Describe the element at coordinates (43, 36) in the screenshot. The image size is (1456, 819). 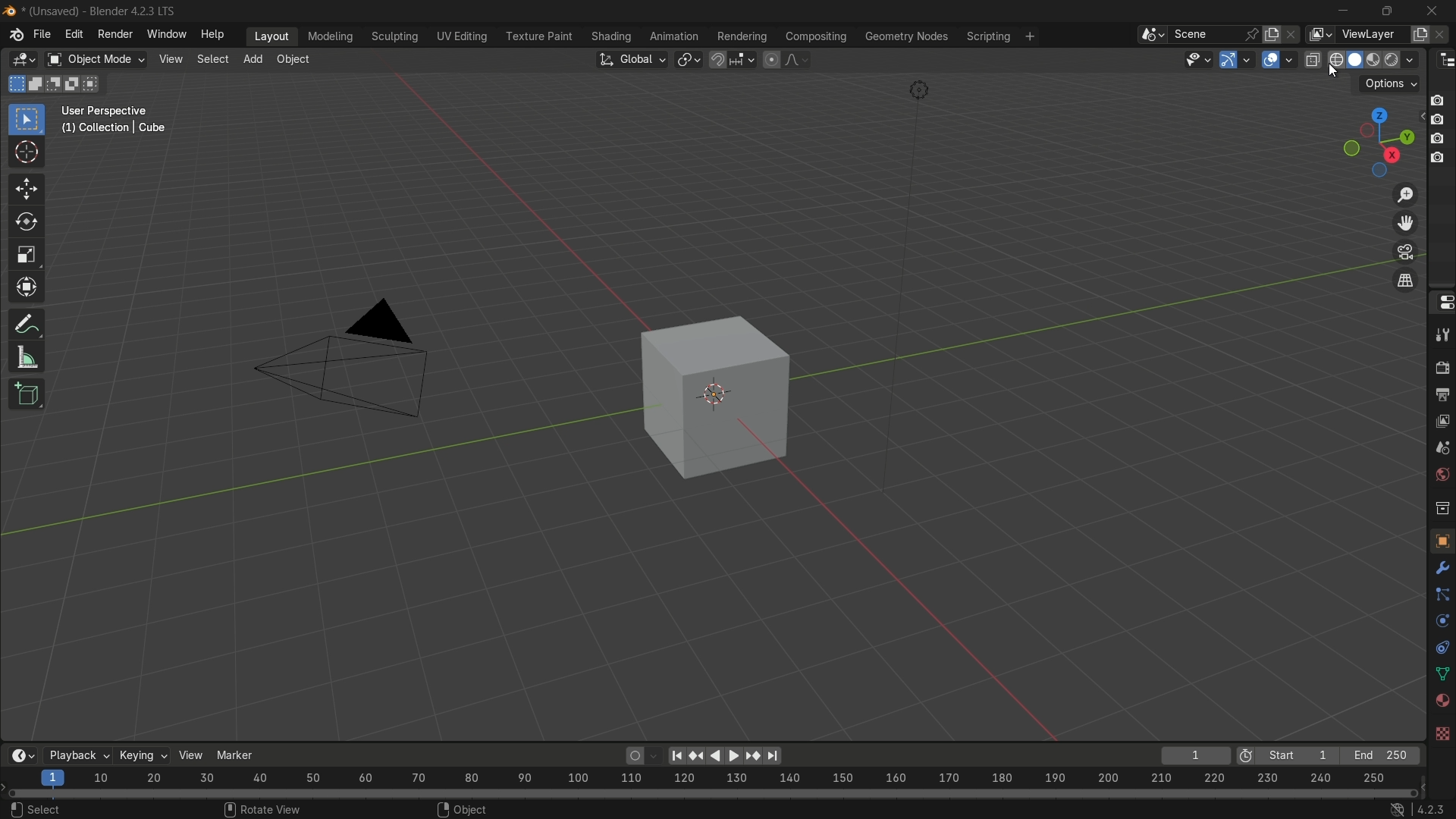
I see `file menu` at that location.